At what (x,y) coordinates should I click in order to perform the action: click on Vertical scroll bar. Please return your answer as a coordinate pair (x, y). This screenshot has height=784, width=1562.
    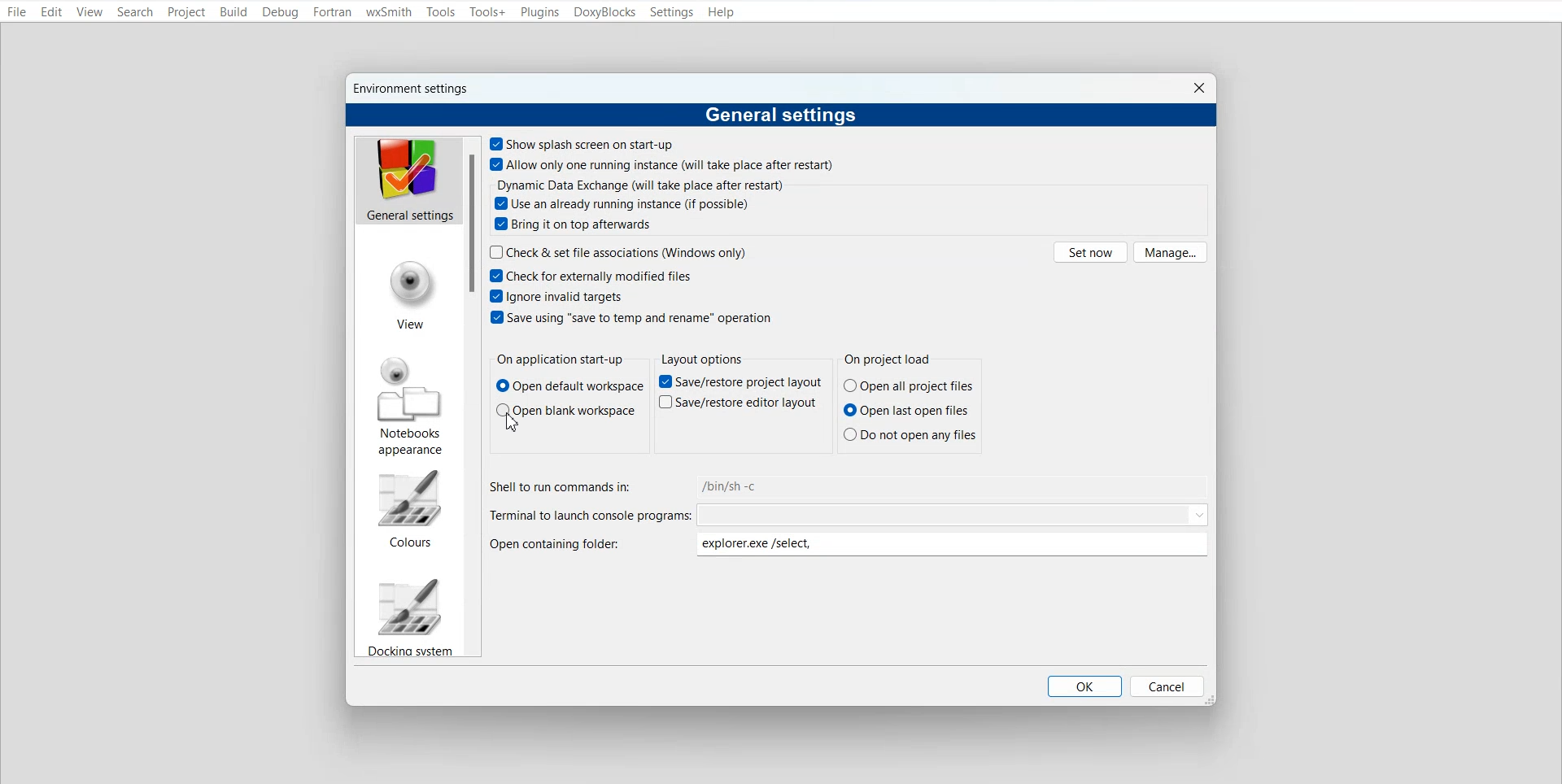
    Looking at the image, I should click on (472, 397).